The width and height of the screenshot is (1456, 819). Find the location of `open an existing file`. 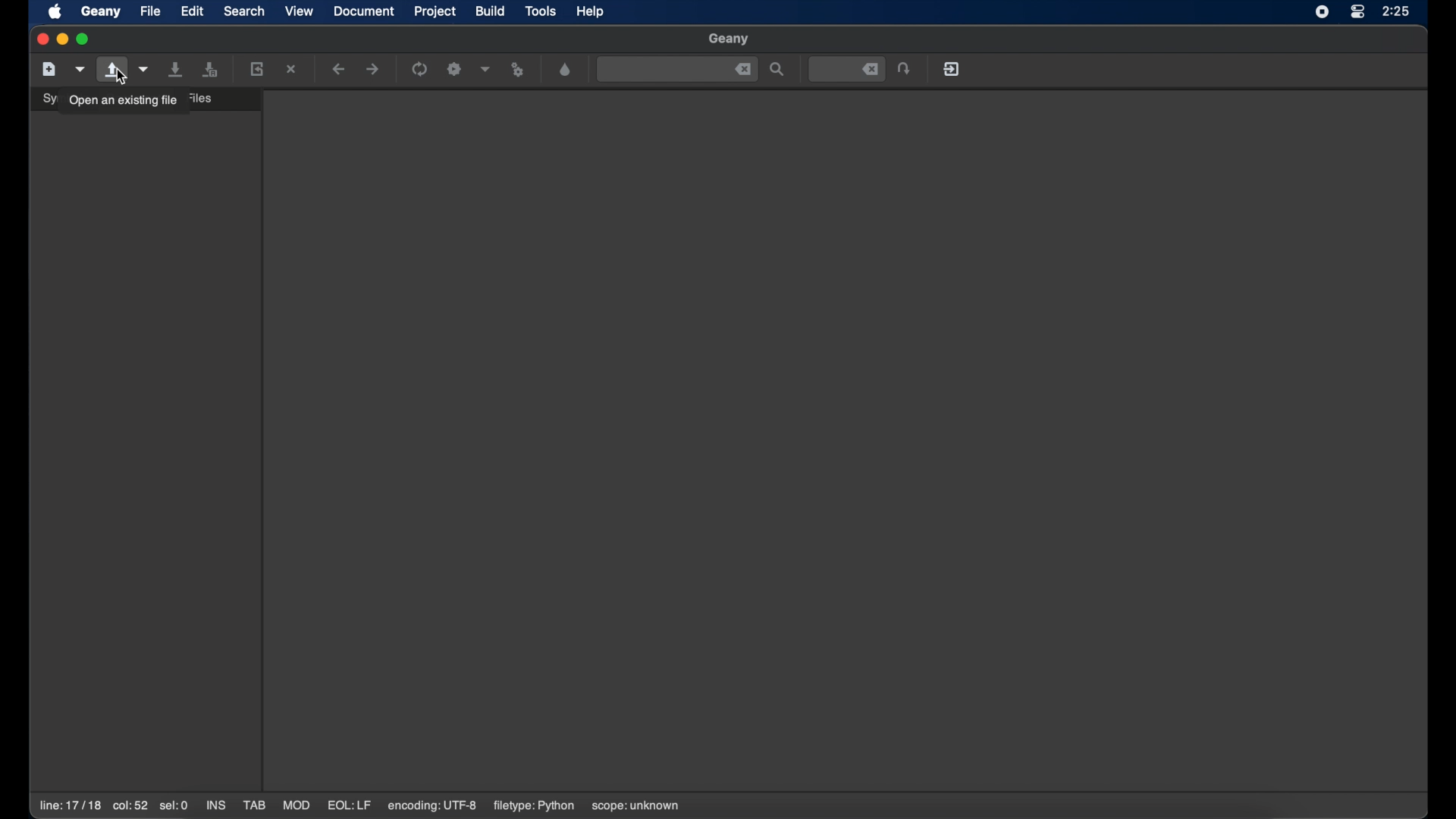

open an existing file is located at coordinates (123, 100).